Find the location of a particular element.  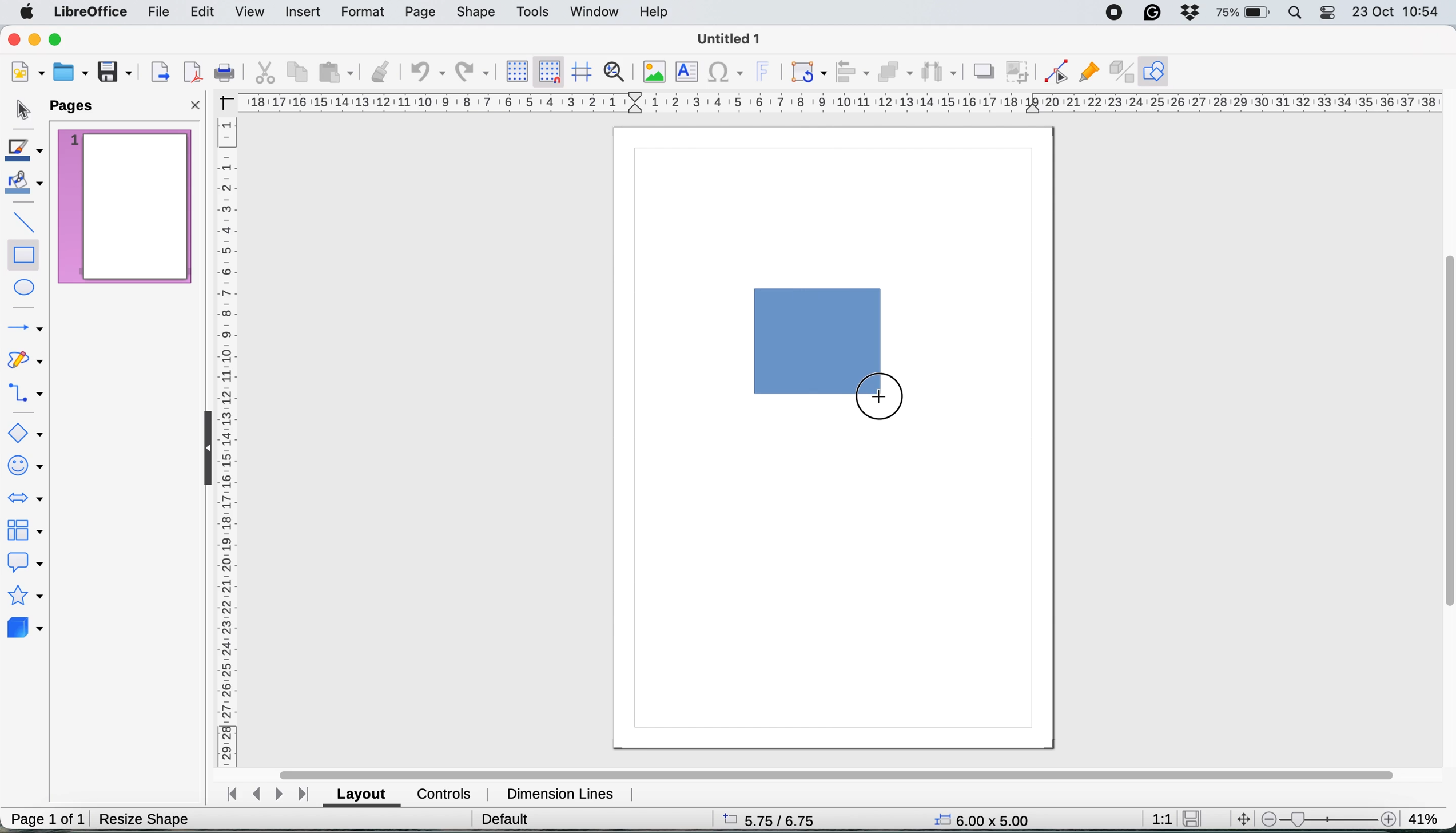

collapse is located at coordinates (202, 447).